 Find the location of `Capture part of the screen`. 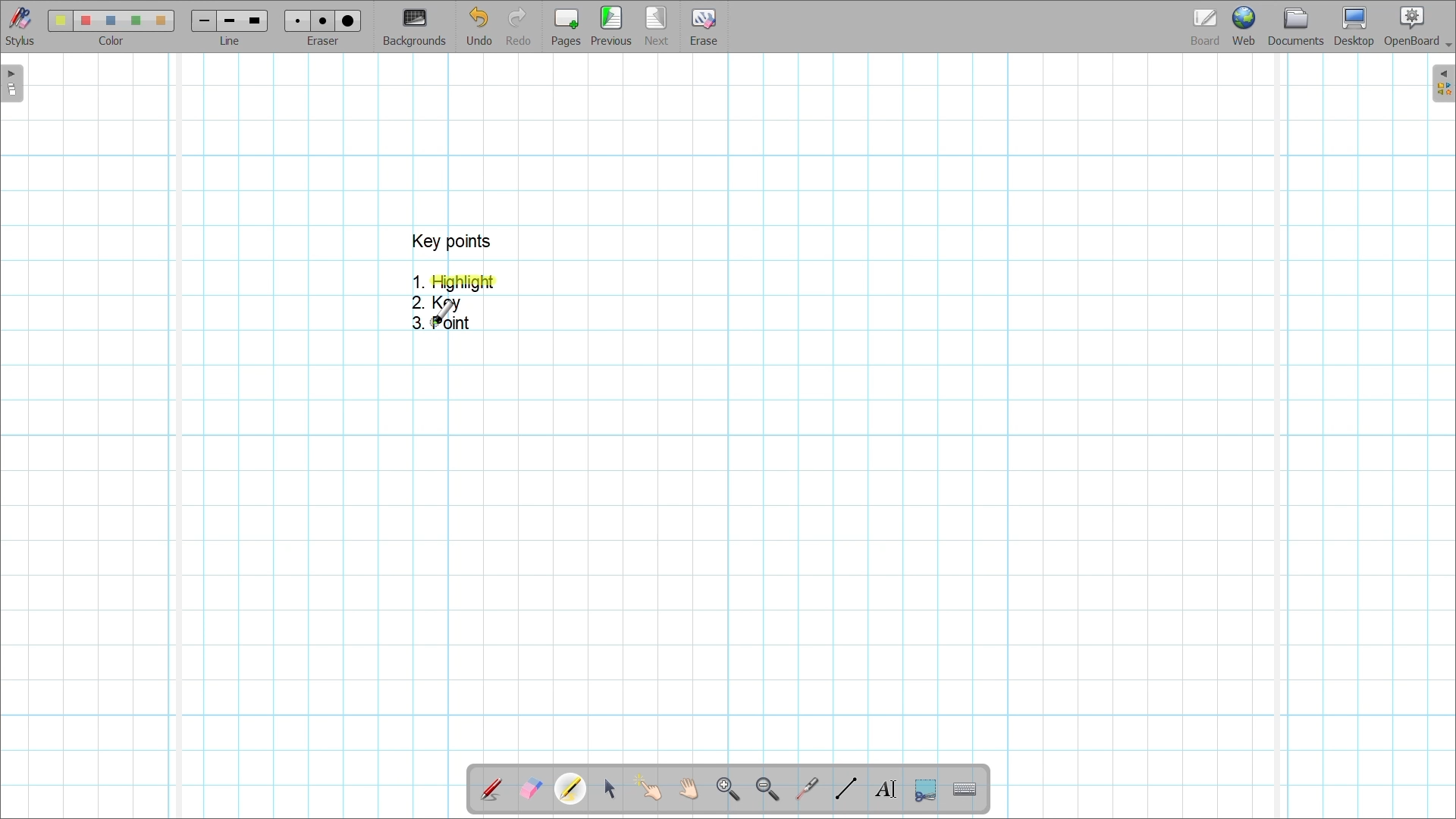

Capture part of the screen is located at coordinates (926, 791).